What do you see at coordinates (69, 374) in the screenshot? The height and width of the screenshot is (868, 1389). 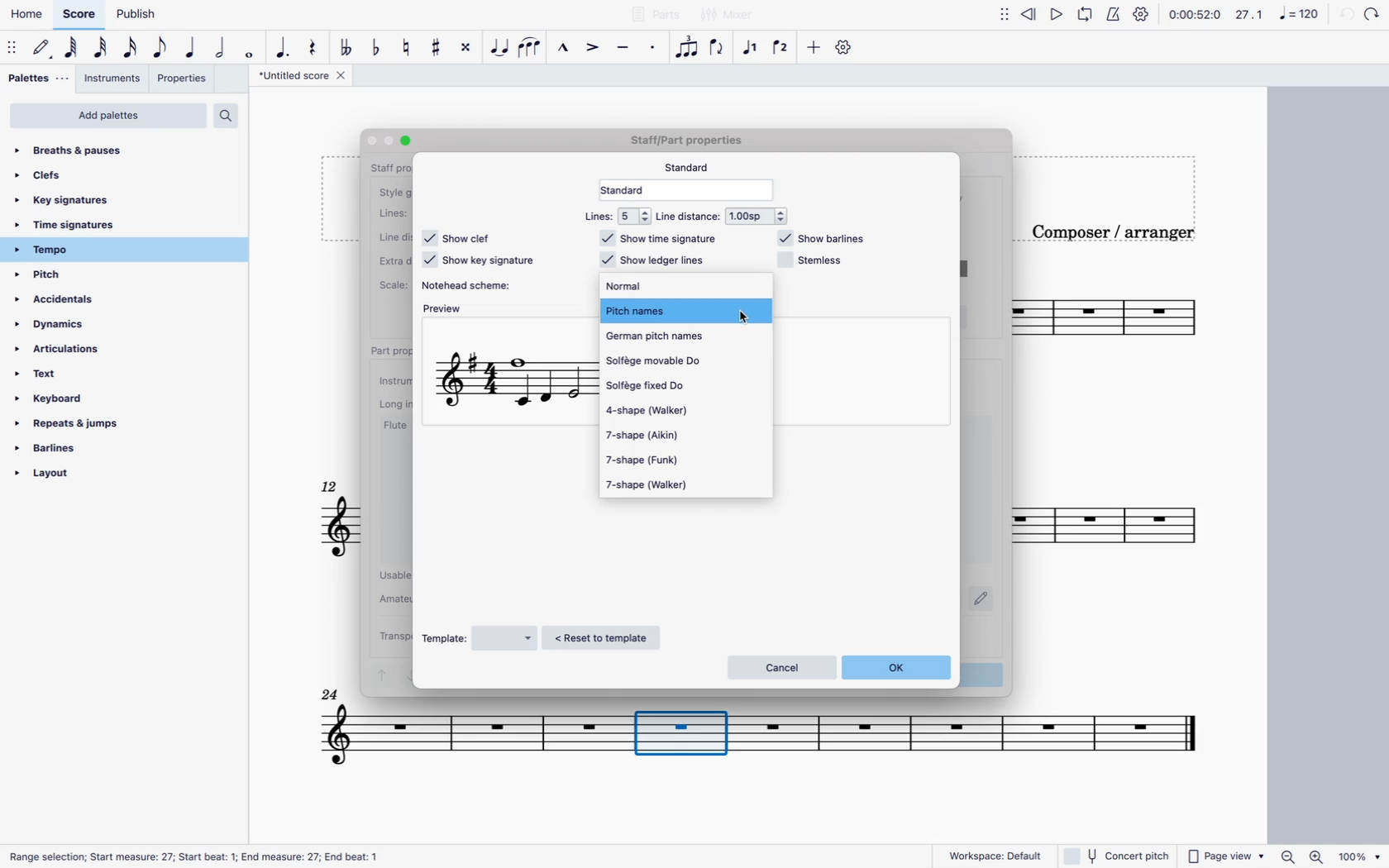 I see `text` at bounding box center [69, 374].